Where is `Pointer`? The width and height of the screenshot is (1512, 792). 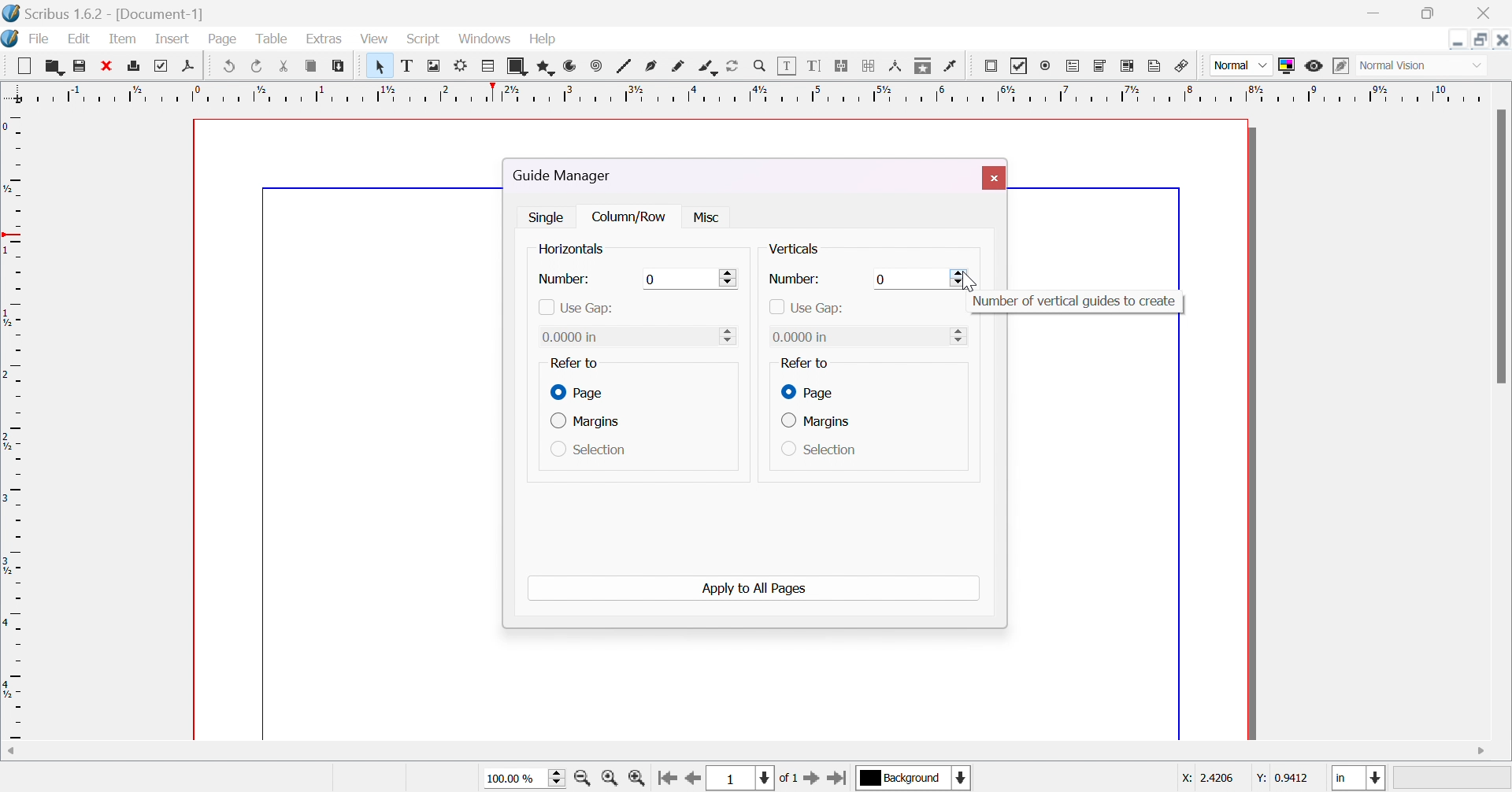 Pointer is located at coordinates (375, 65).